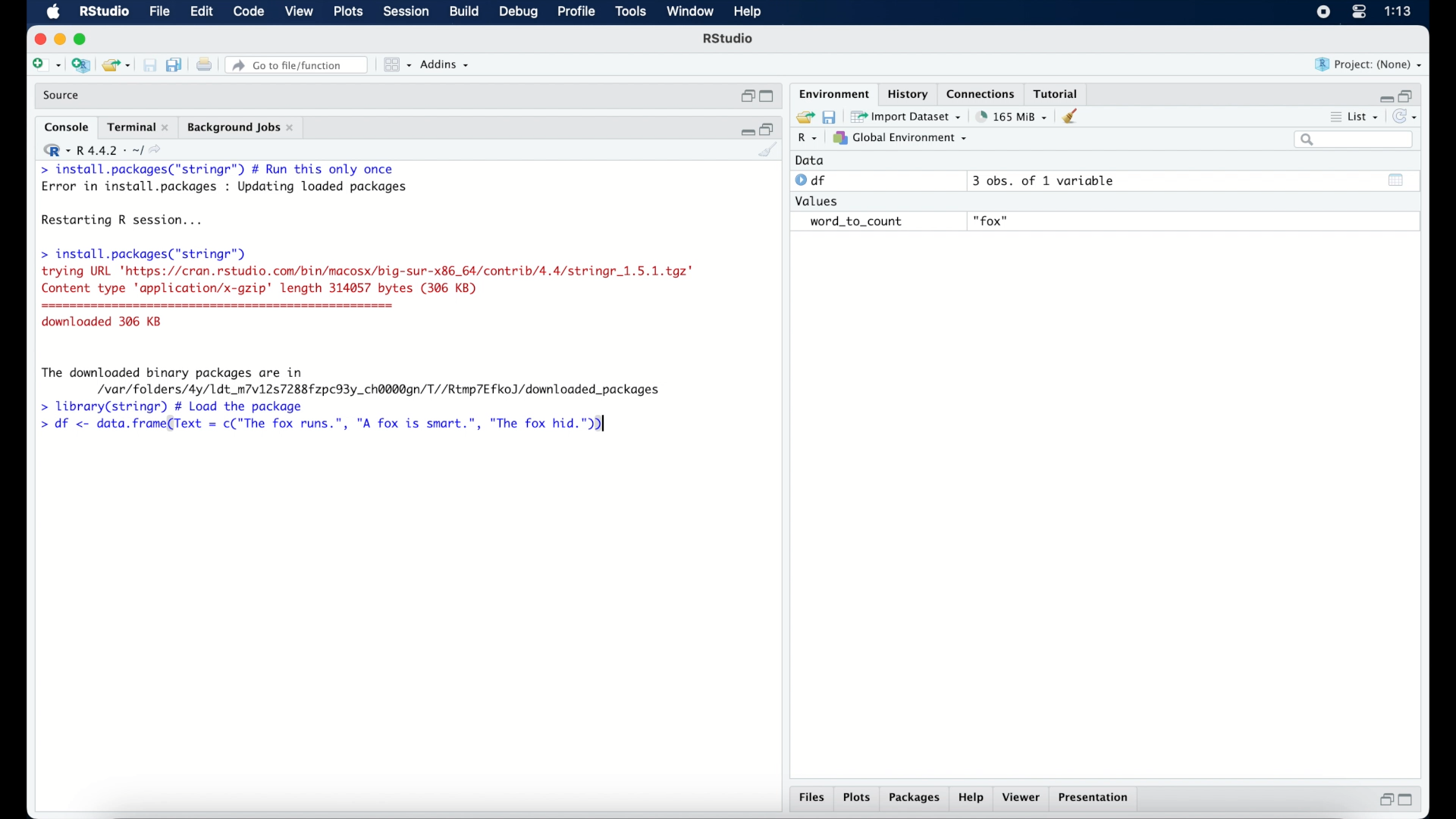 The height and width of the screenshot is (819, 1456). I want to click on word_to_count, so click(854, 222).